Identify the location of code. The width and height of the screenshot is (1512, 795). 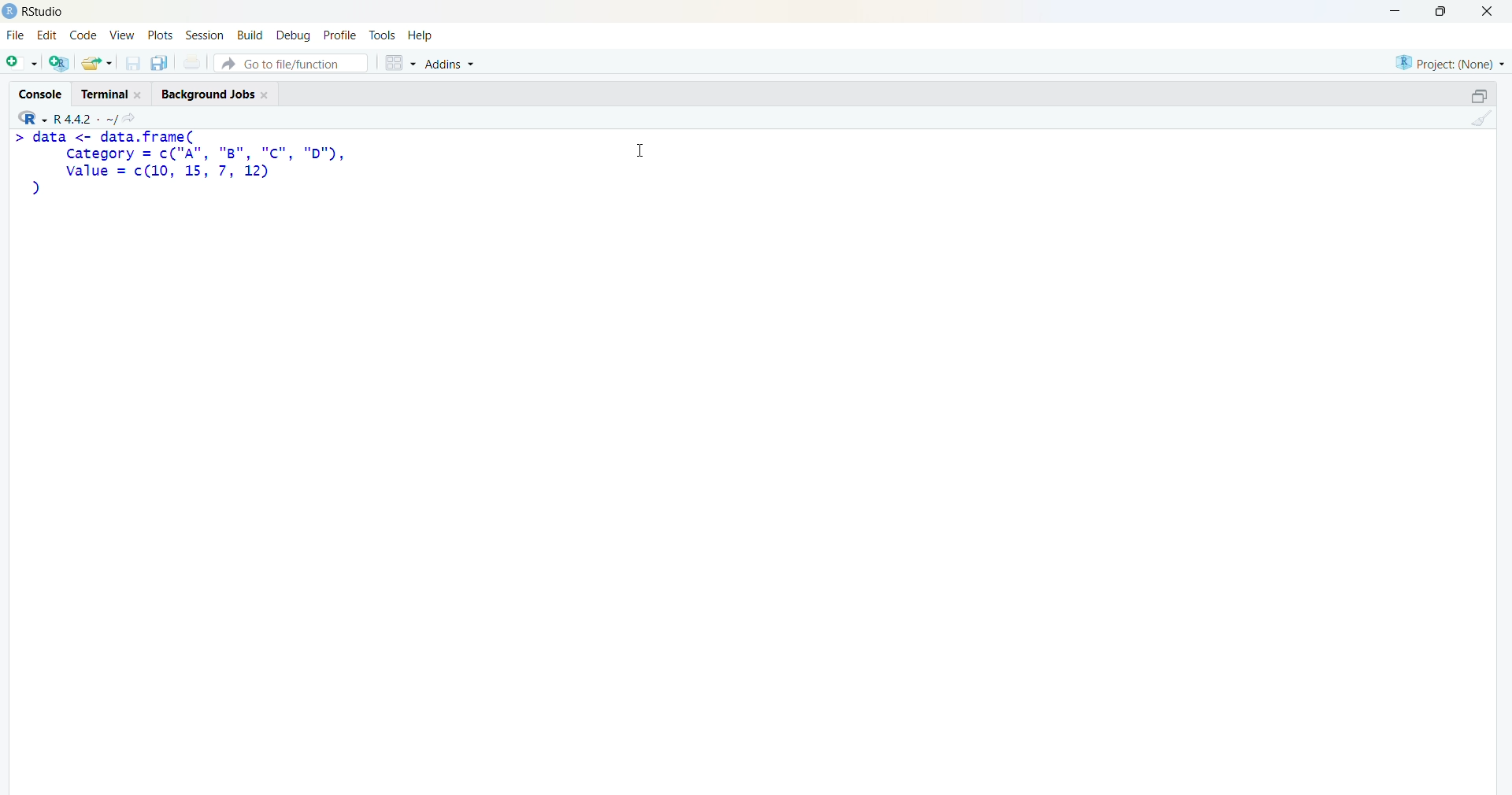
(83, 35).